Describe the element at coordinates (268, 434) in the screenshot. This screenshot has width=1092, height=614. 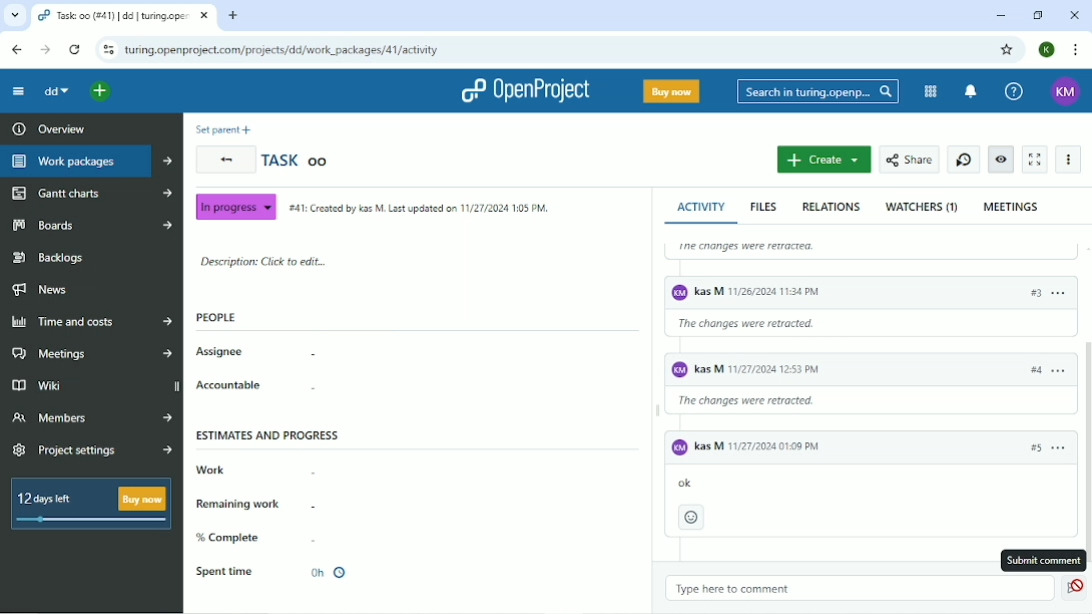
I see `Estimates and progress` at that location.